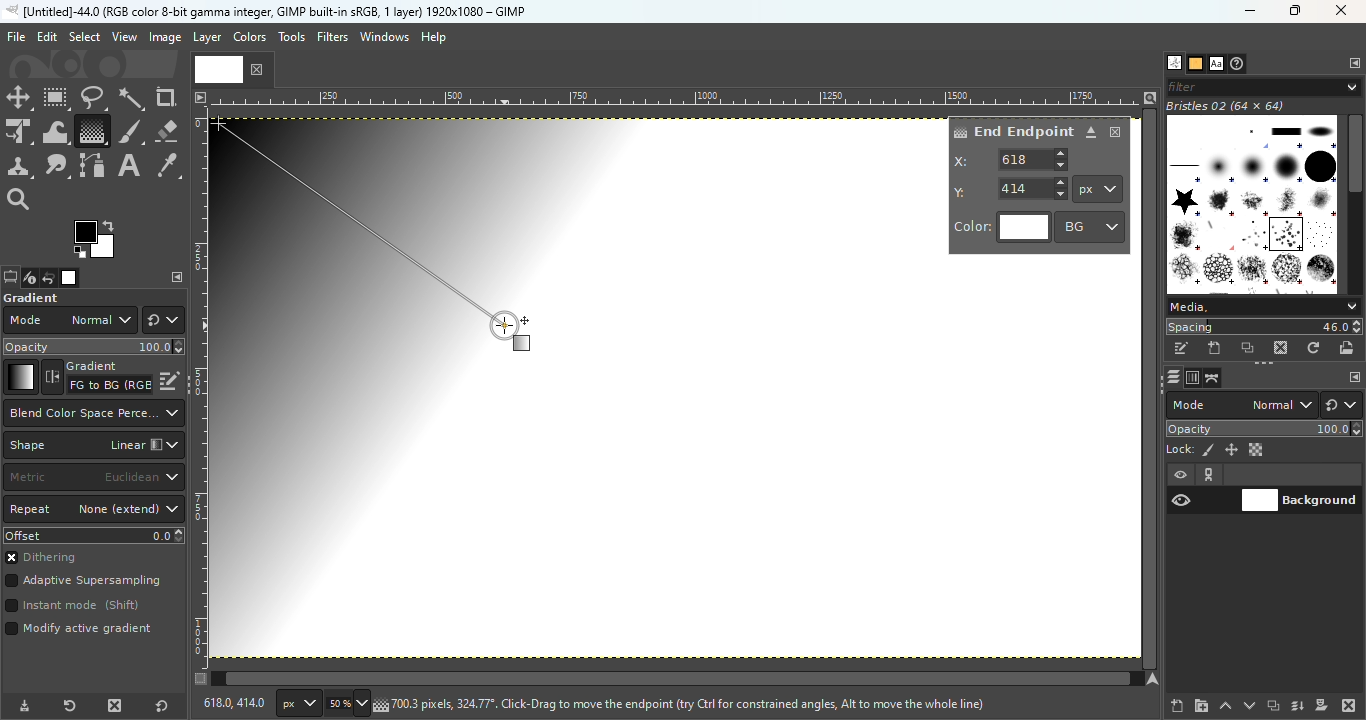 The image size is (1366, 720). Describe the element at coordinates (20, 197) in the screenshot. I see `Zoom tool` at that location.